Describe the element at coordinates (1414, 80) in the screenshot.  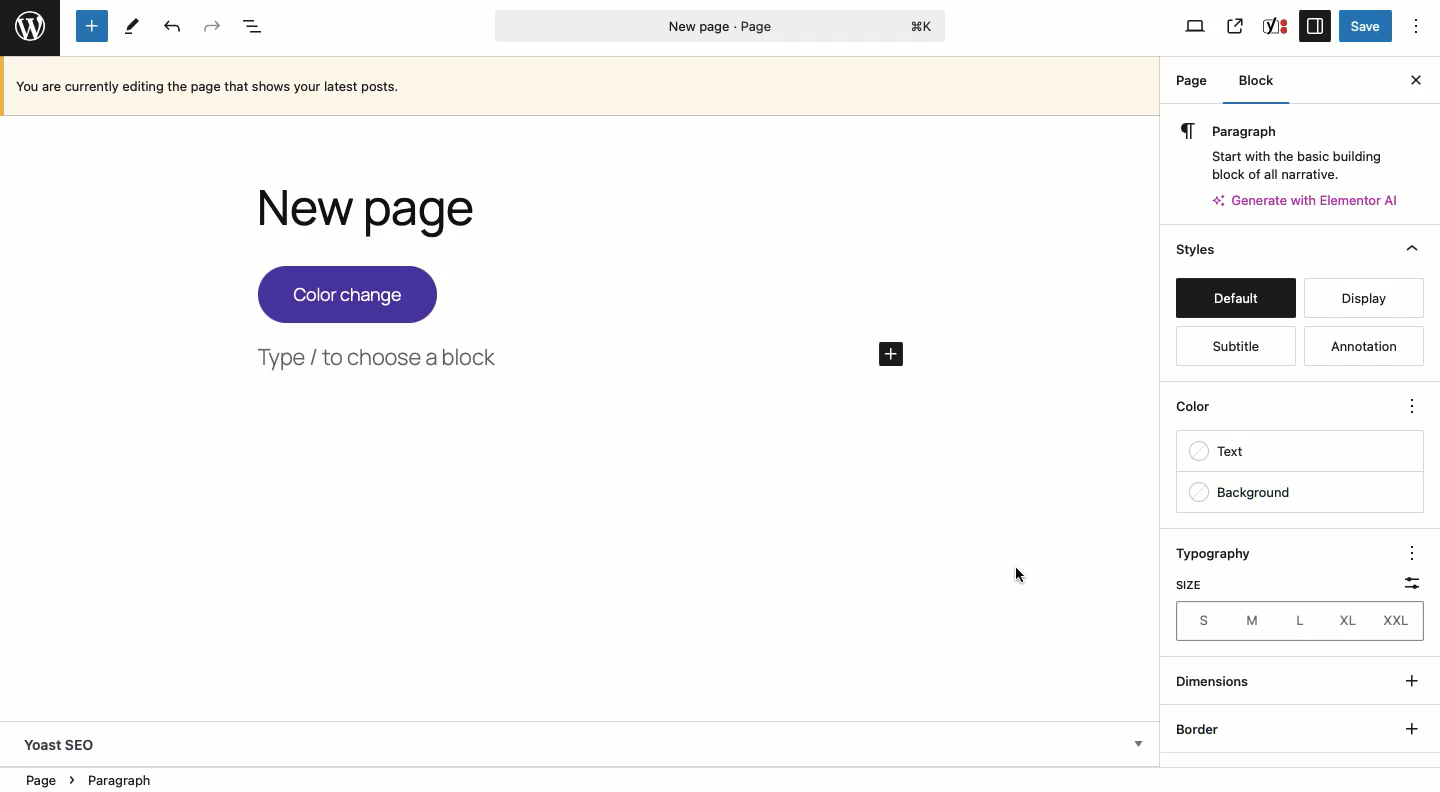
I see `Close` at that location.